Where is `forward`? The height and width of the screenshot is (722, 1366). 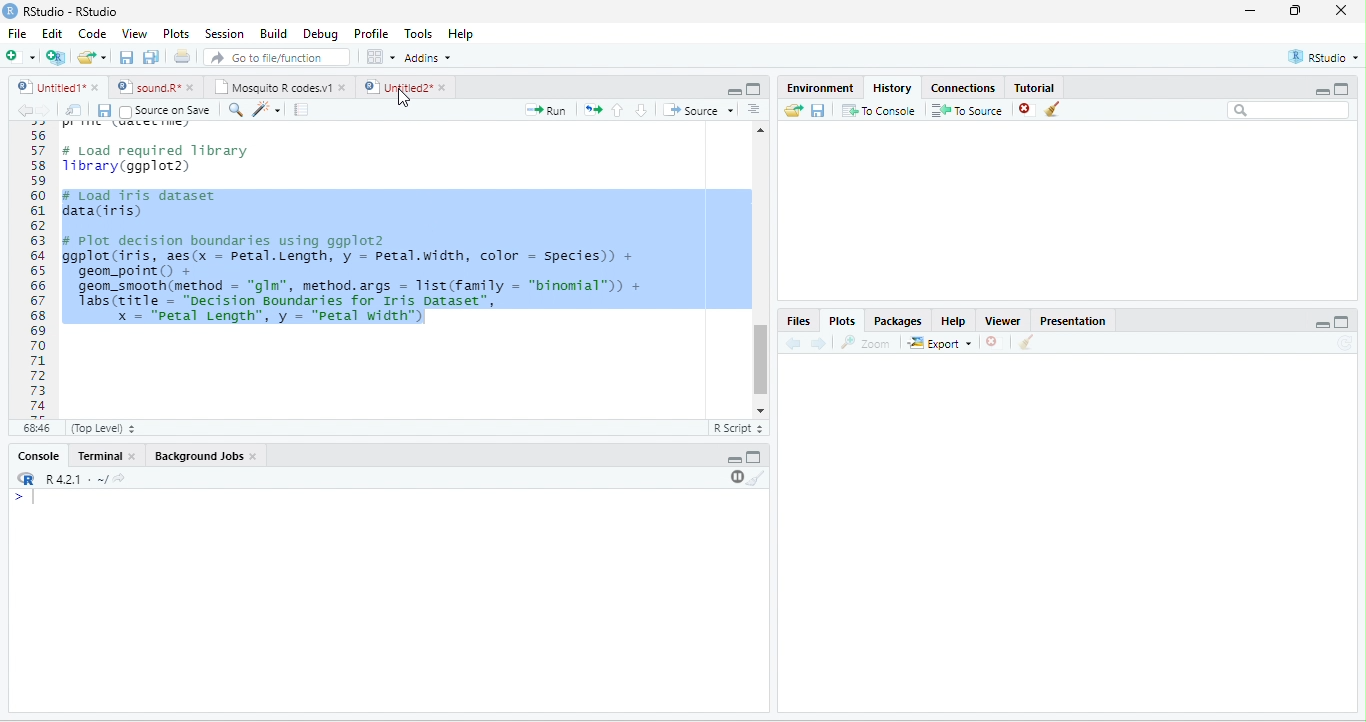
forward is located at coordinates (818, 344).